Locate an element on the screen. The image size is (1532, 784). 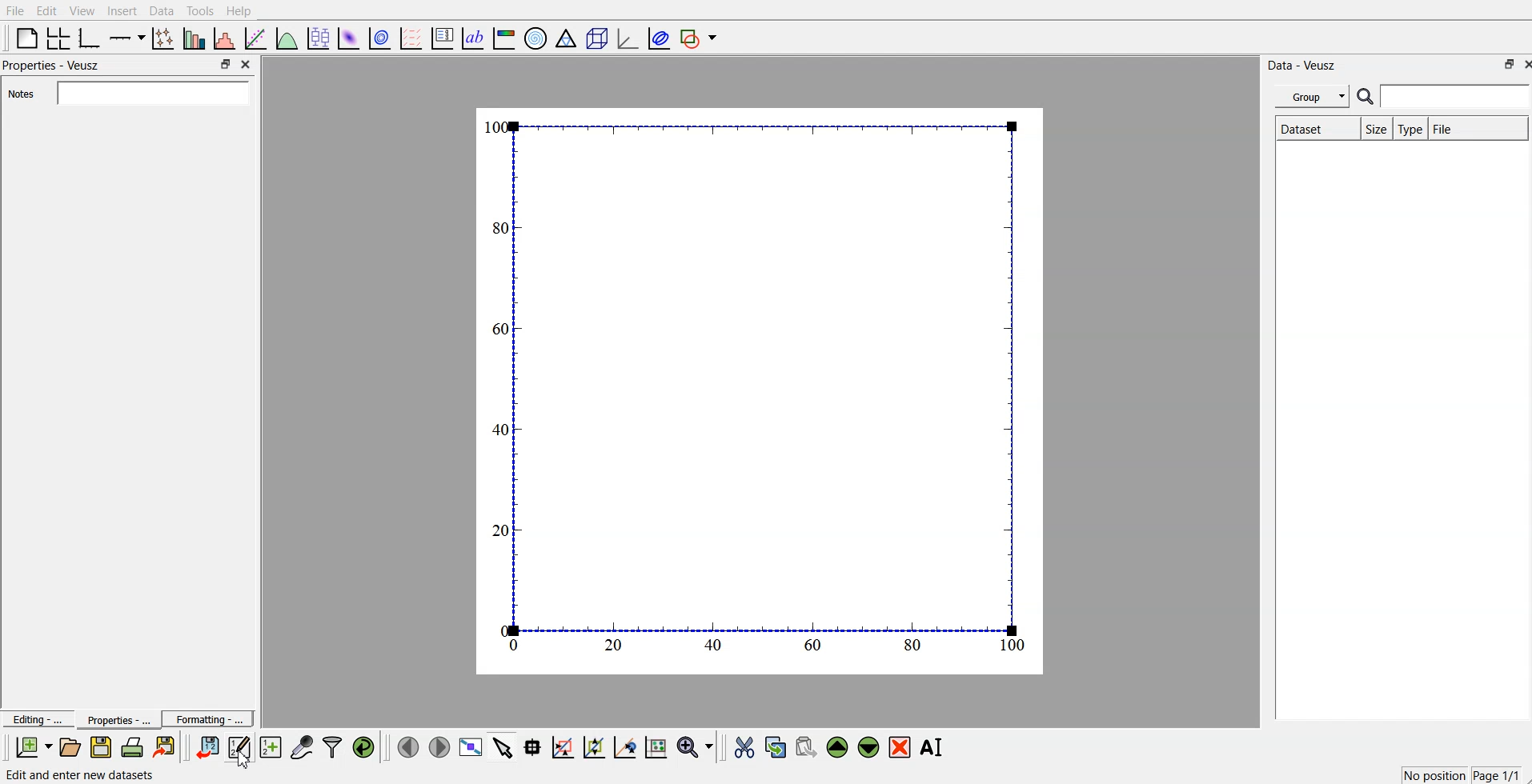
Help is located at coordinates (243, 10).